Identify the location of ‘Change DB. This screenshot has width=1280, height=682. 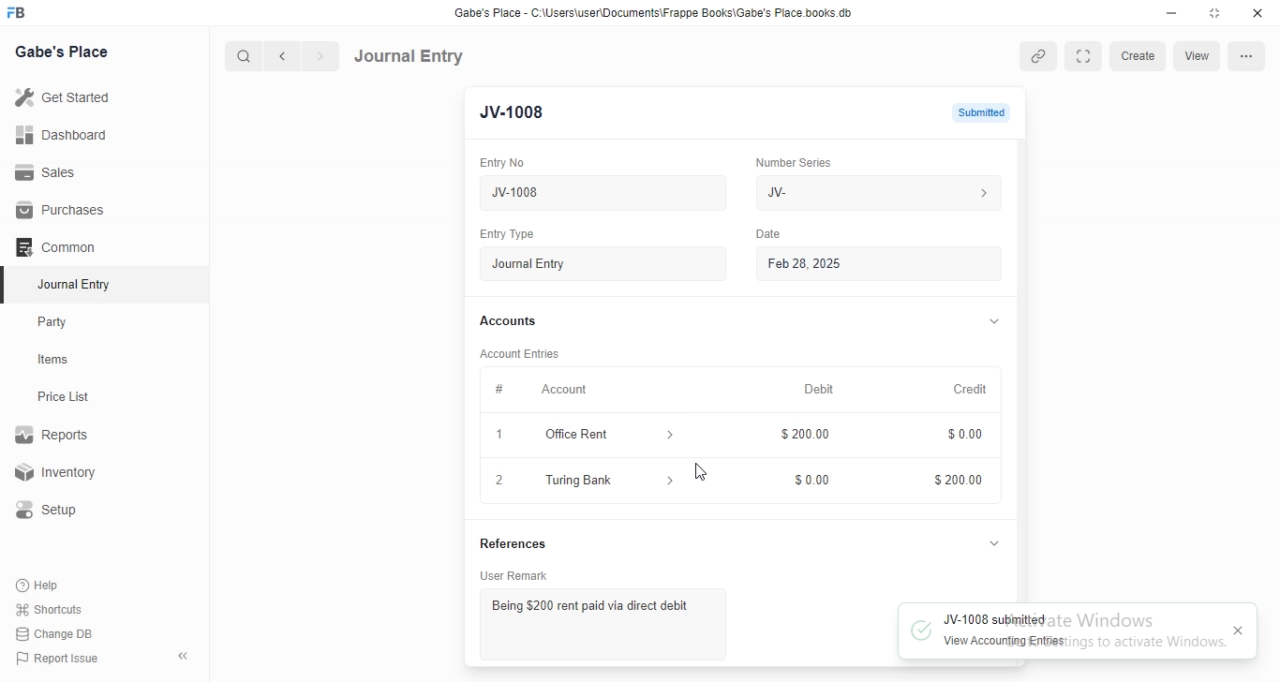
(55, 634).